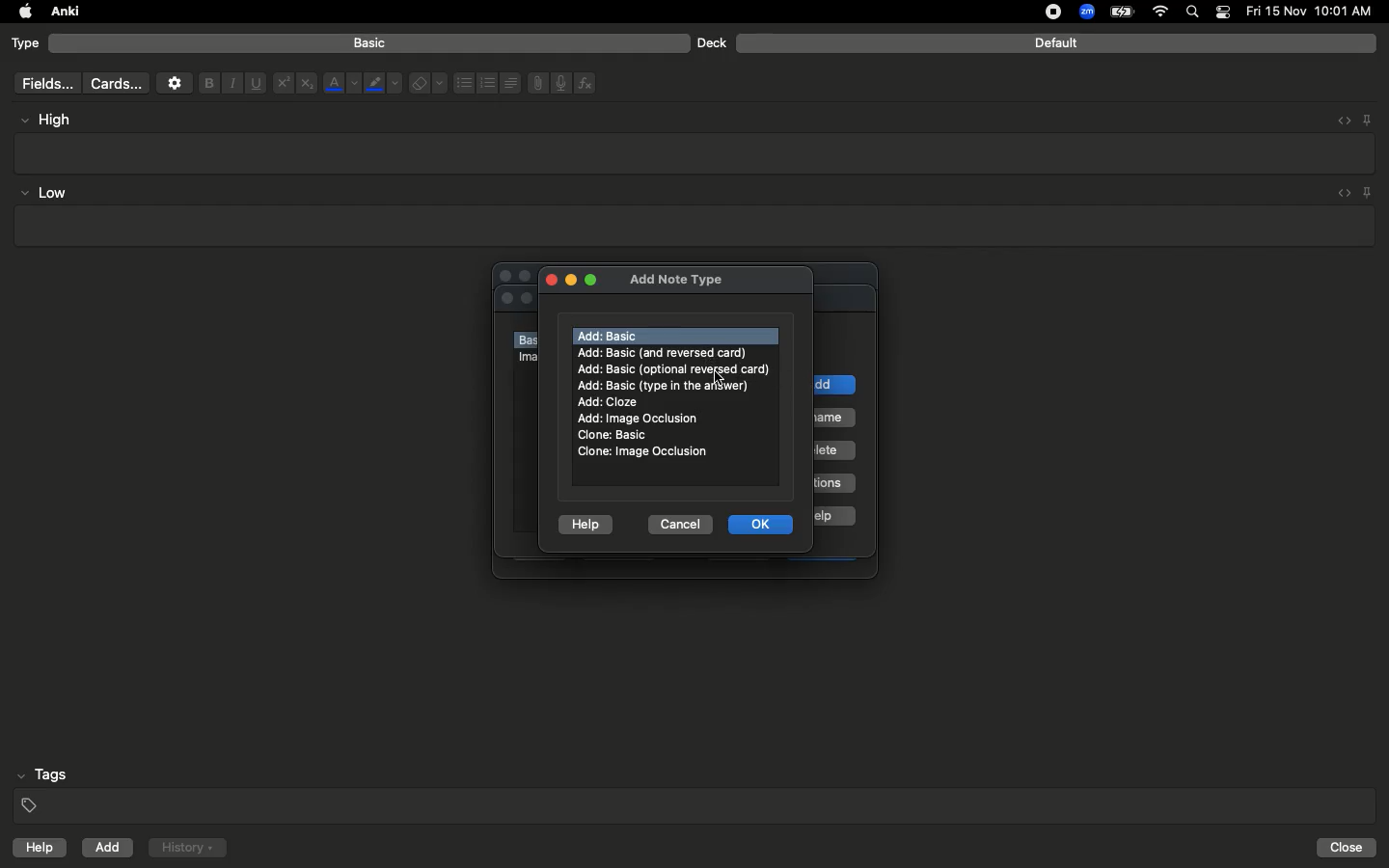  Describe the element at coordinates (676, 523) in the screenshot. I see `Cancel` at that location.